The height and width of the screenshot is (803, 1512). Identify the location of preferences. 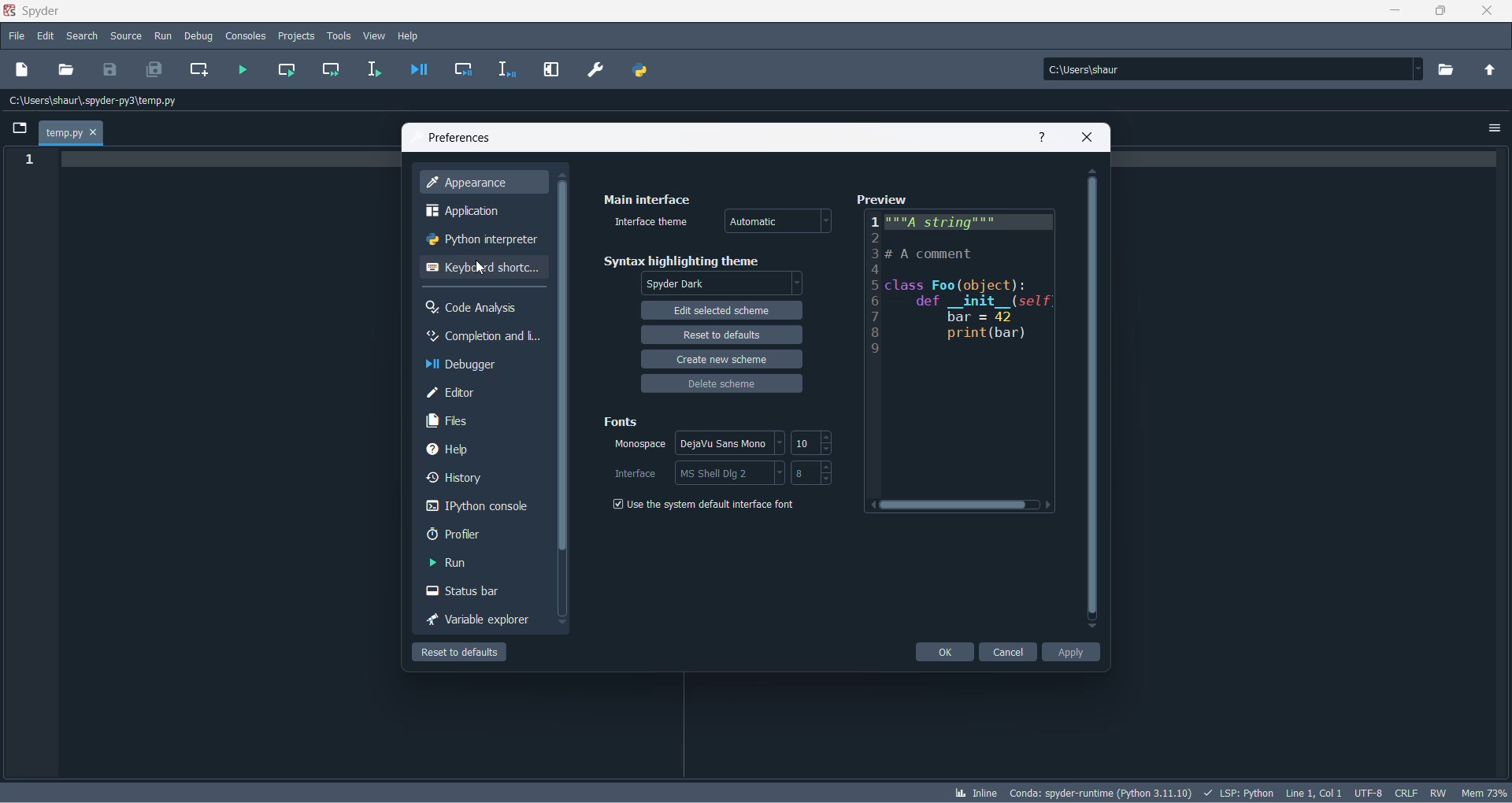
(597, 69).